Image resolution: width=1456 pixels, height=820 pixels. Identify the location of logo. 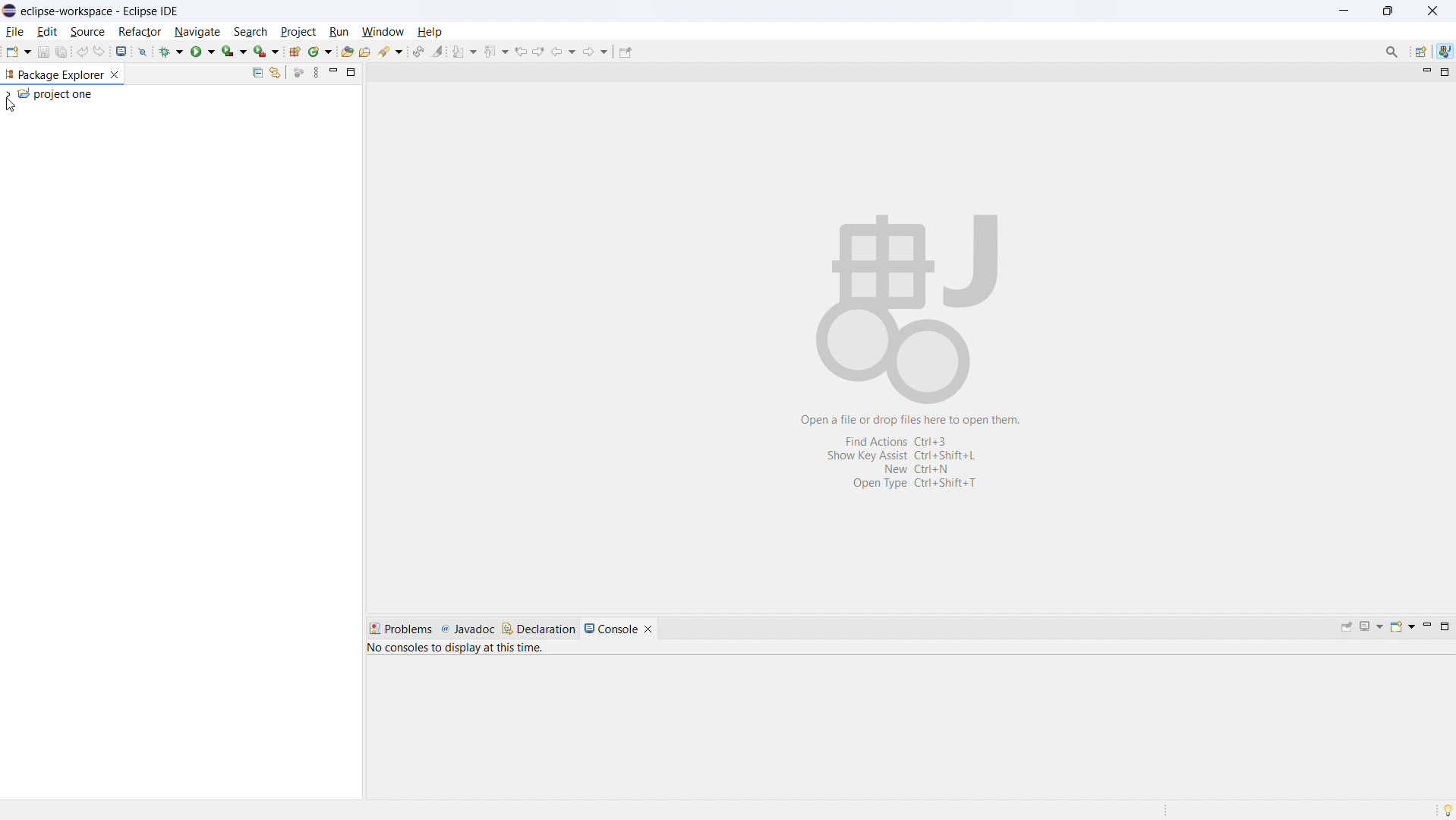
(9, 11).